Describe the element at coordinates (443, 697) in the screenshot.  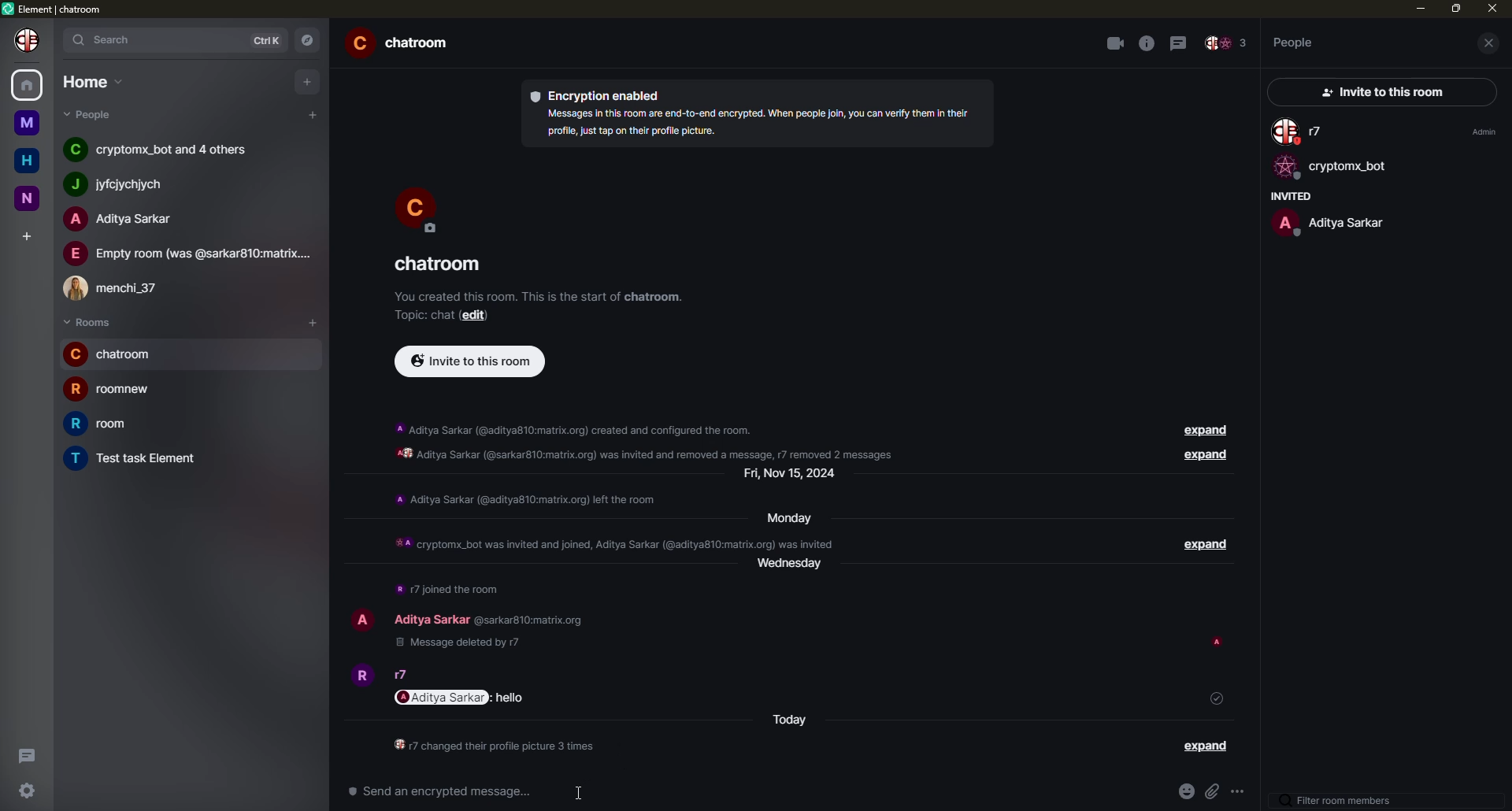
I see `mention` at that location.